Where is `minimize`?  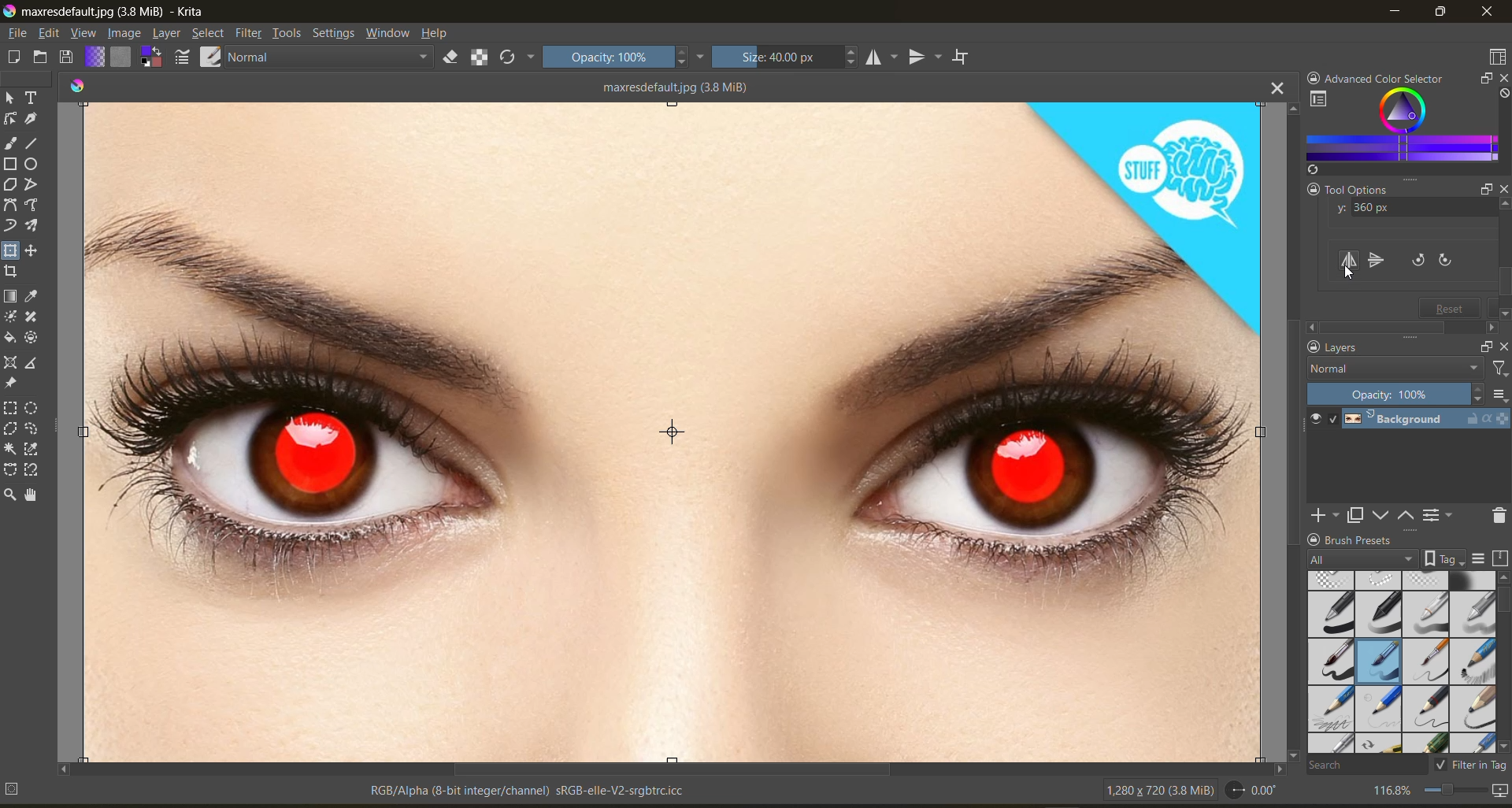
minimize is located at coordinates (1396, 14).